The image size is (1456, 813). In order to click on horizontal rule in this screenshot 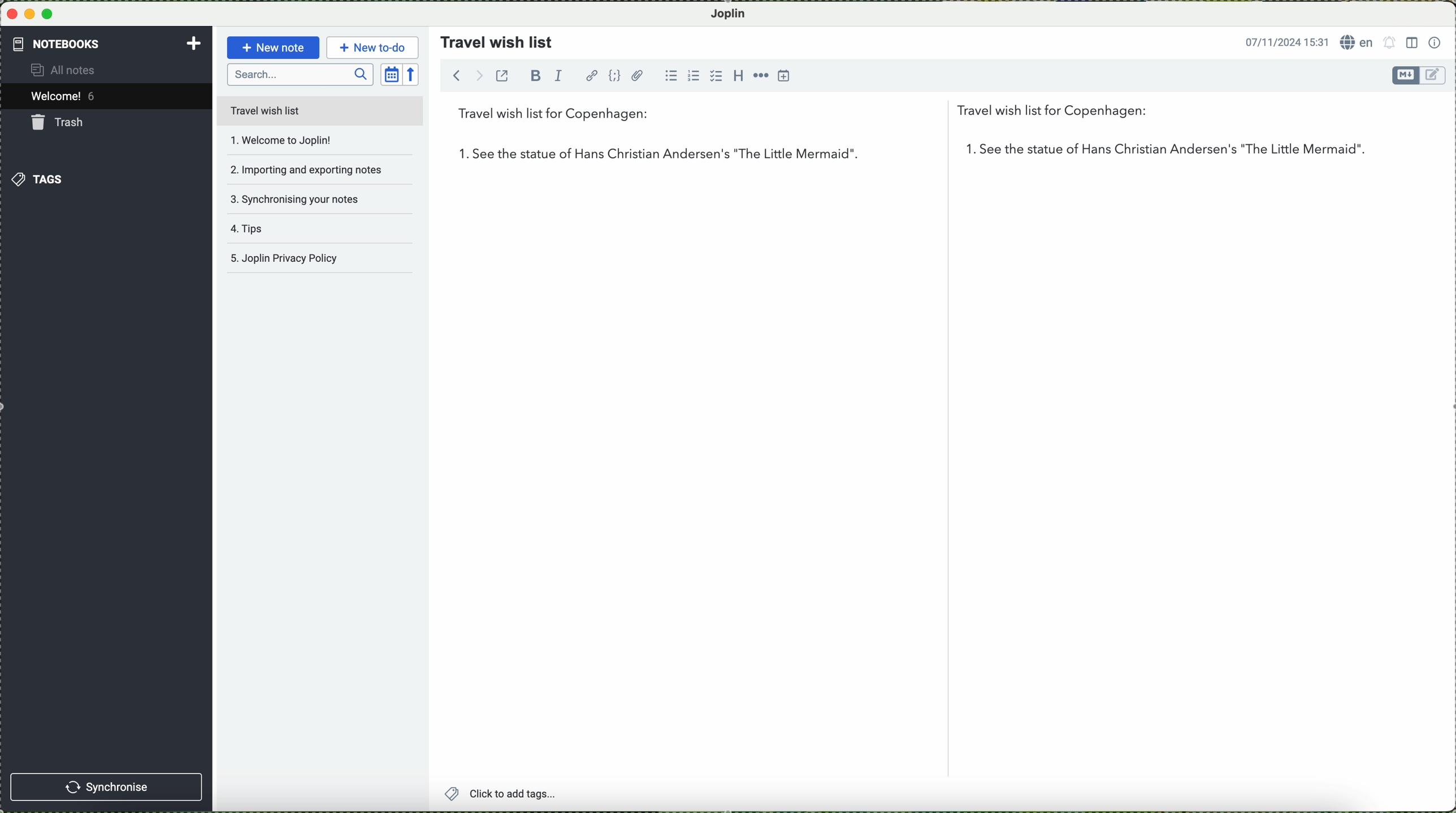, I will do `click(760, 75)`.